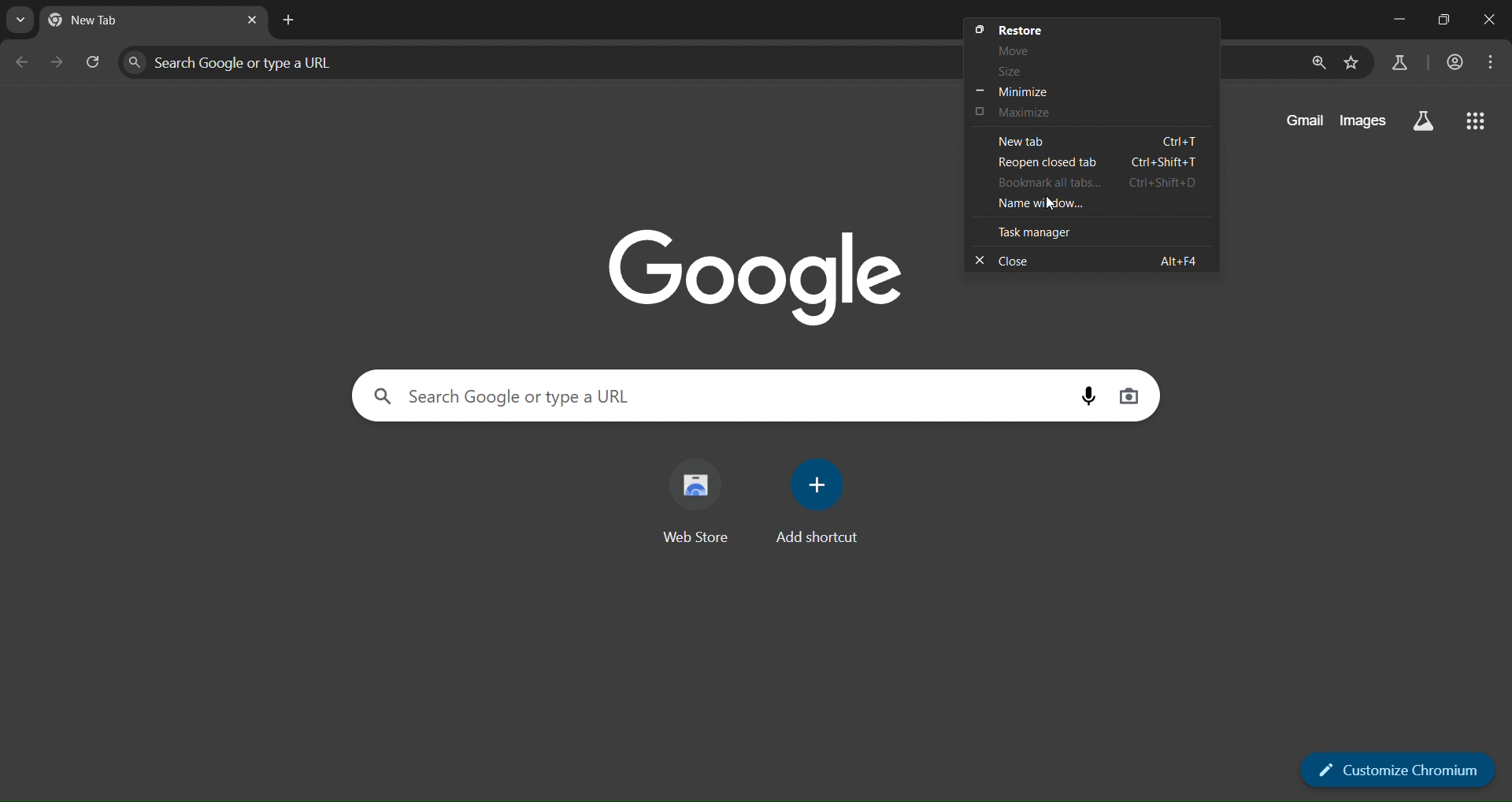  Describe the element at coordinates (1019, 29) in the screenshot. I see `restore` at that location.